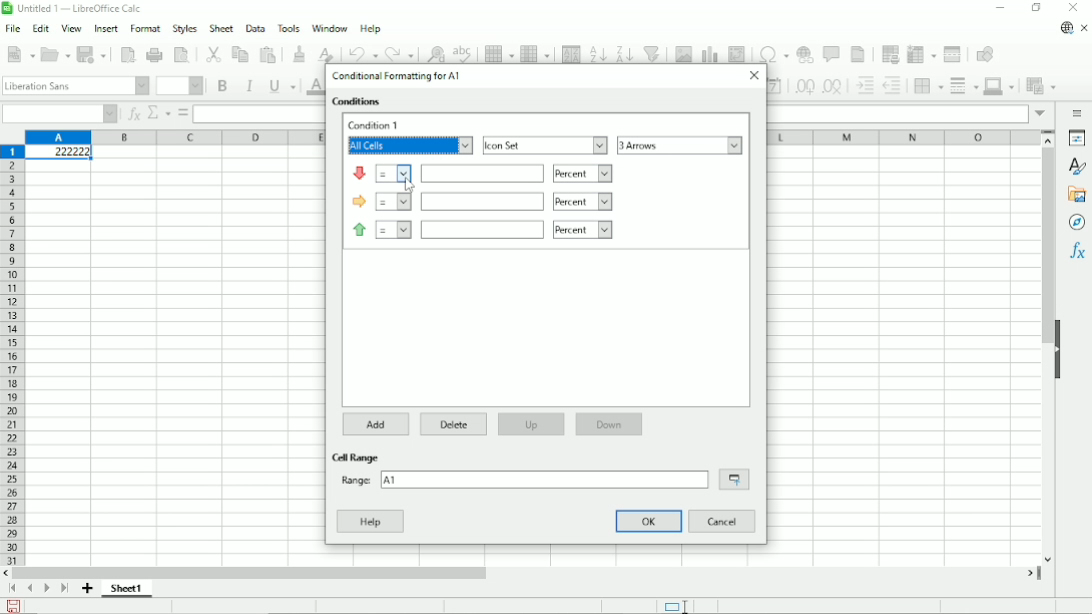  Describe the element at coordinates (13, 29) in the screenshot. I see `File` at that location.